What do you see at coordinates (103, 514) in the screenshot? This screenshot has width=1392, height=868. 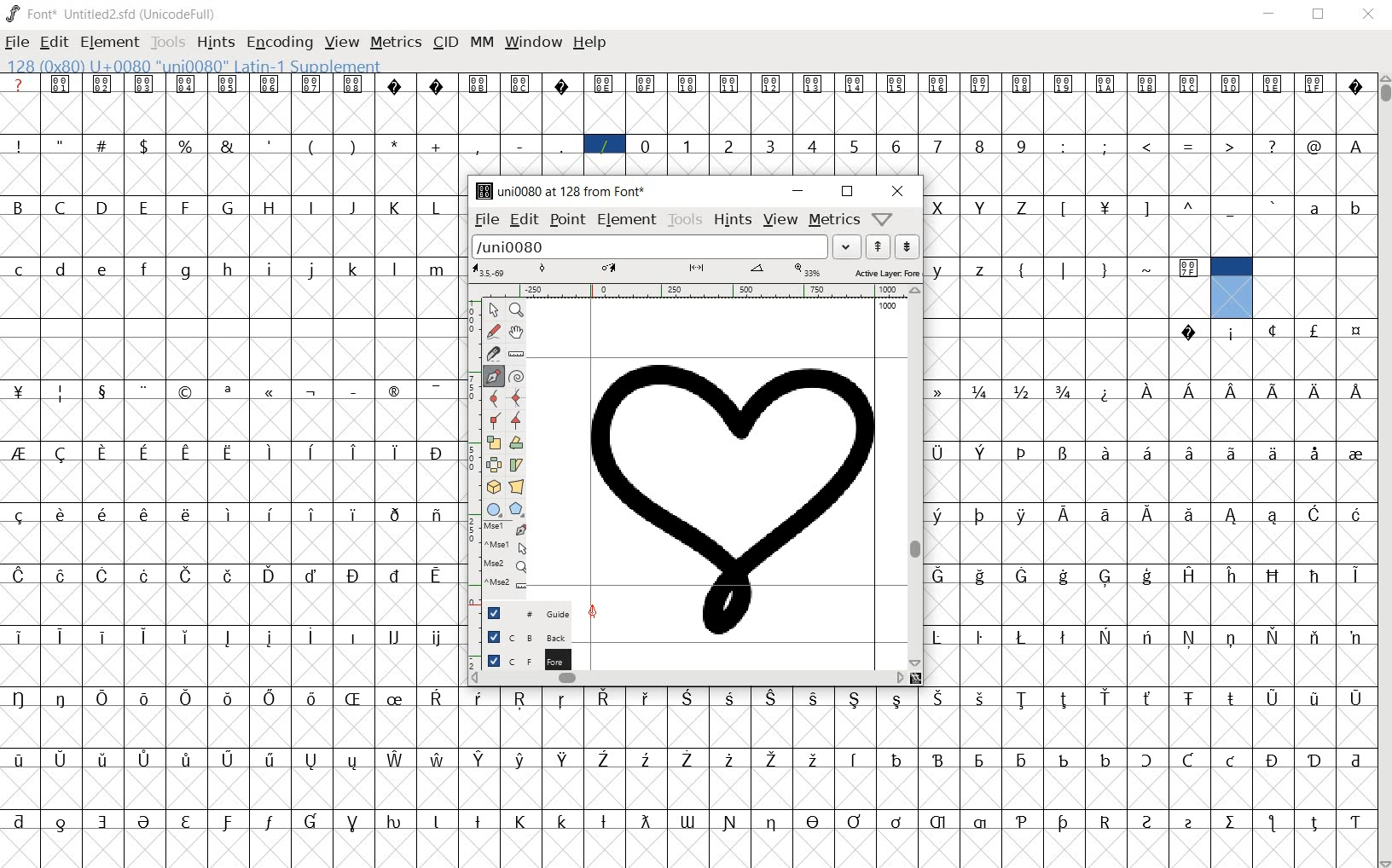 I see `glyph` at bounding box center [103, 514].